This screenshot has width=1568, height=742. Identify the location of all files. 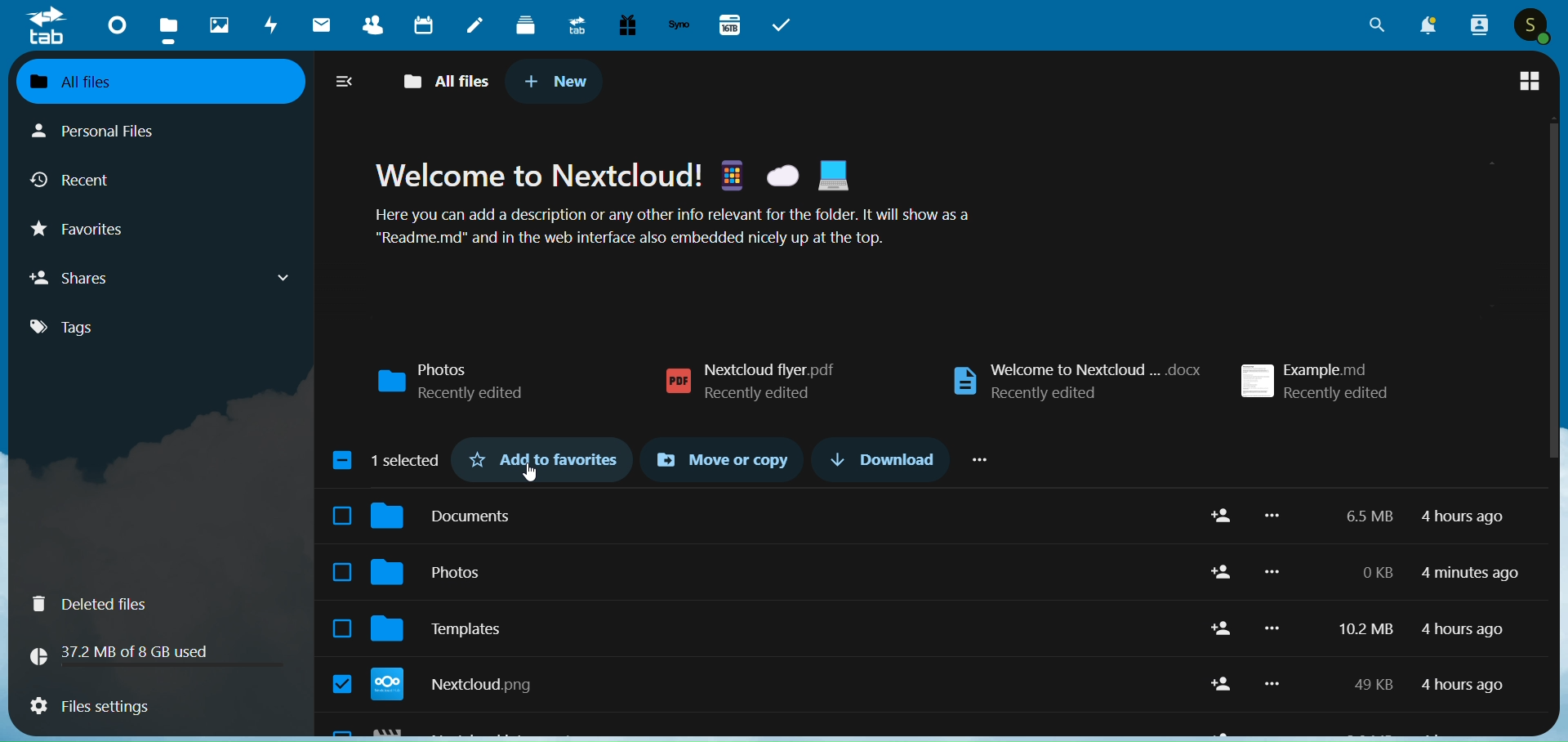
(163, 83).